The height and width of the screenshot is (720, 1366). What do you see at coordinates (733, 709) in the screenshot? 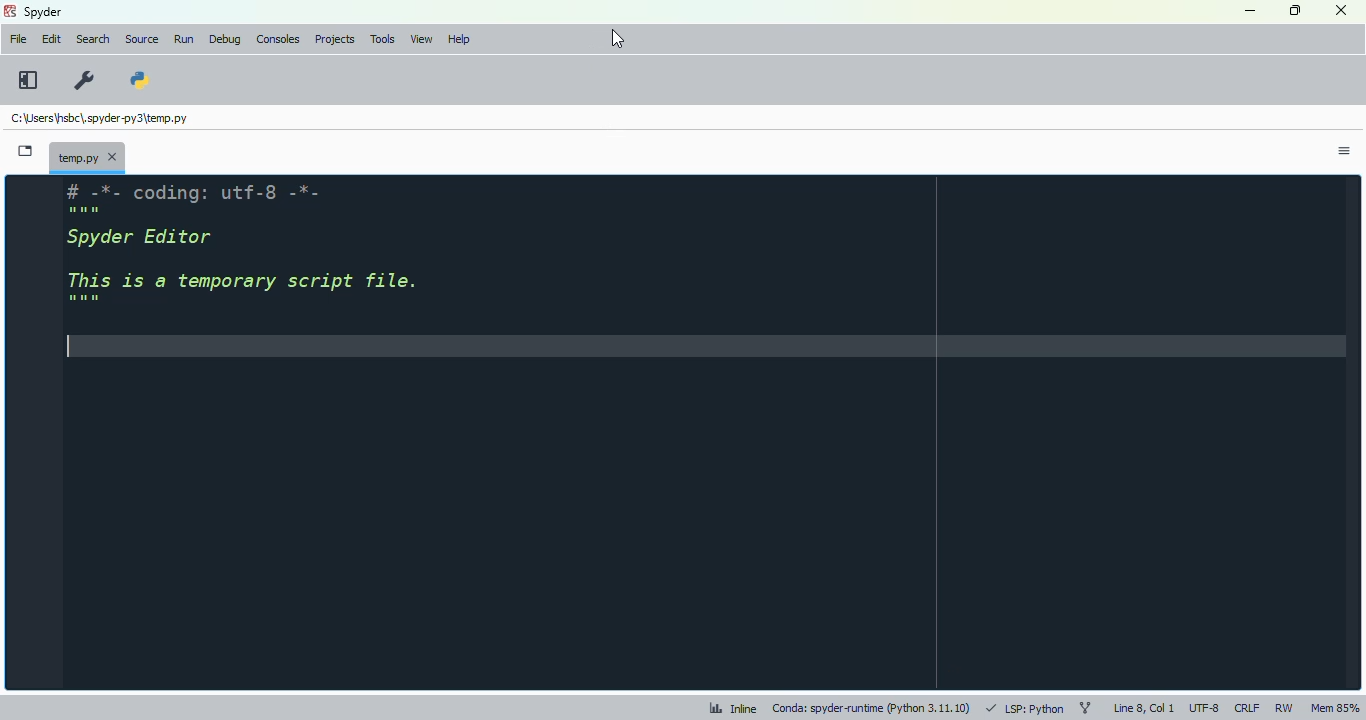
I see `inline` at bounding box center [733, 709].